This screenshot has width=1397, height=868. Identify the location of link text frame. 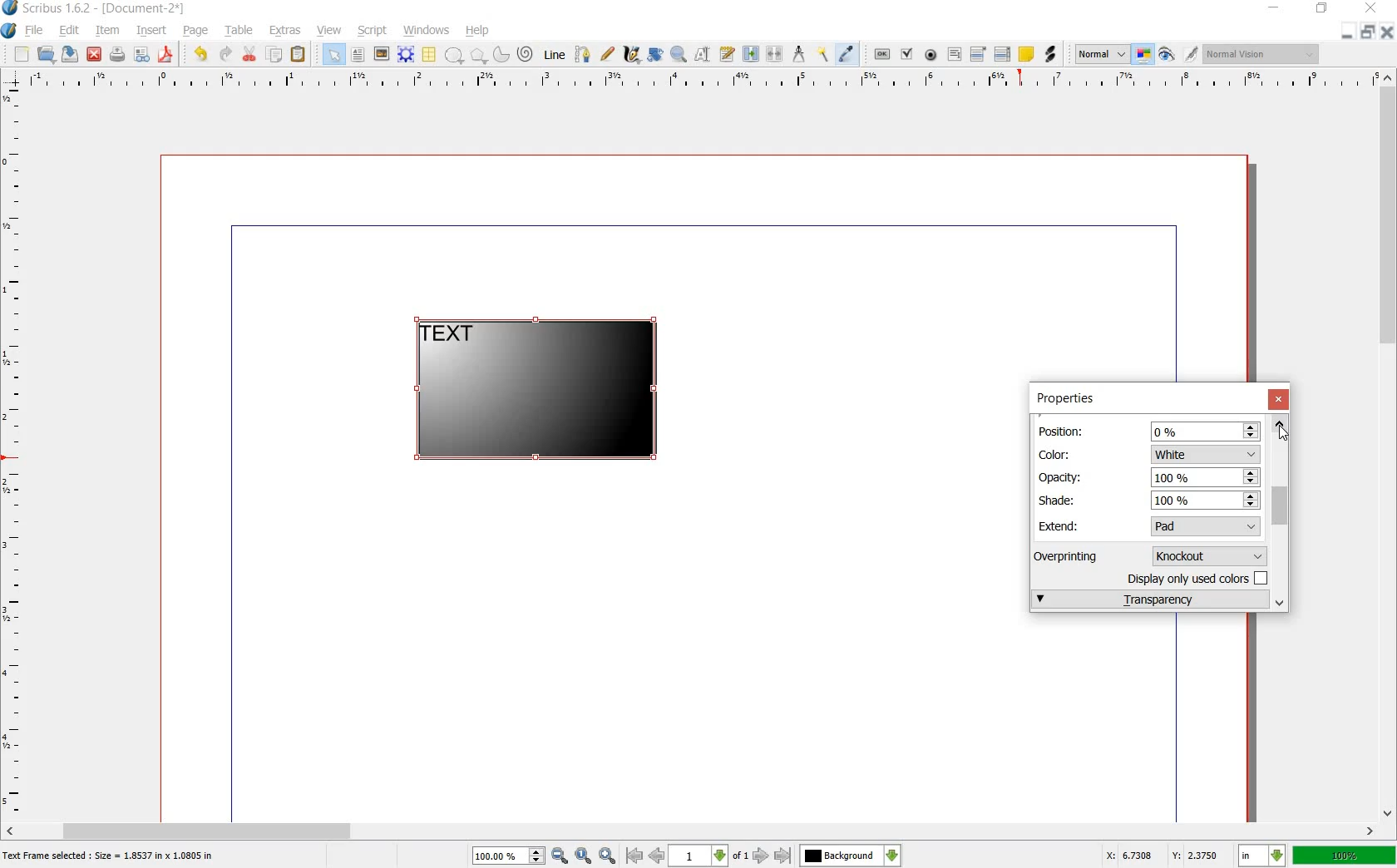
(750, 55).